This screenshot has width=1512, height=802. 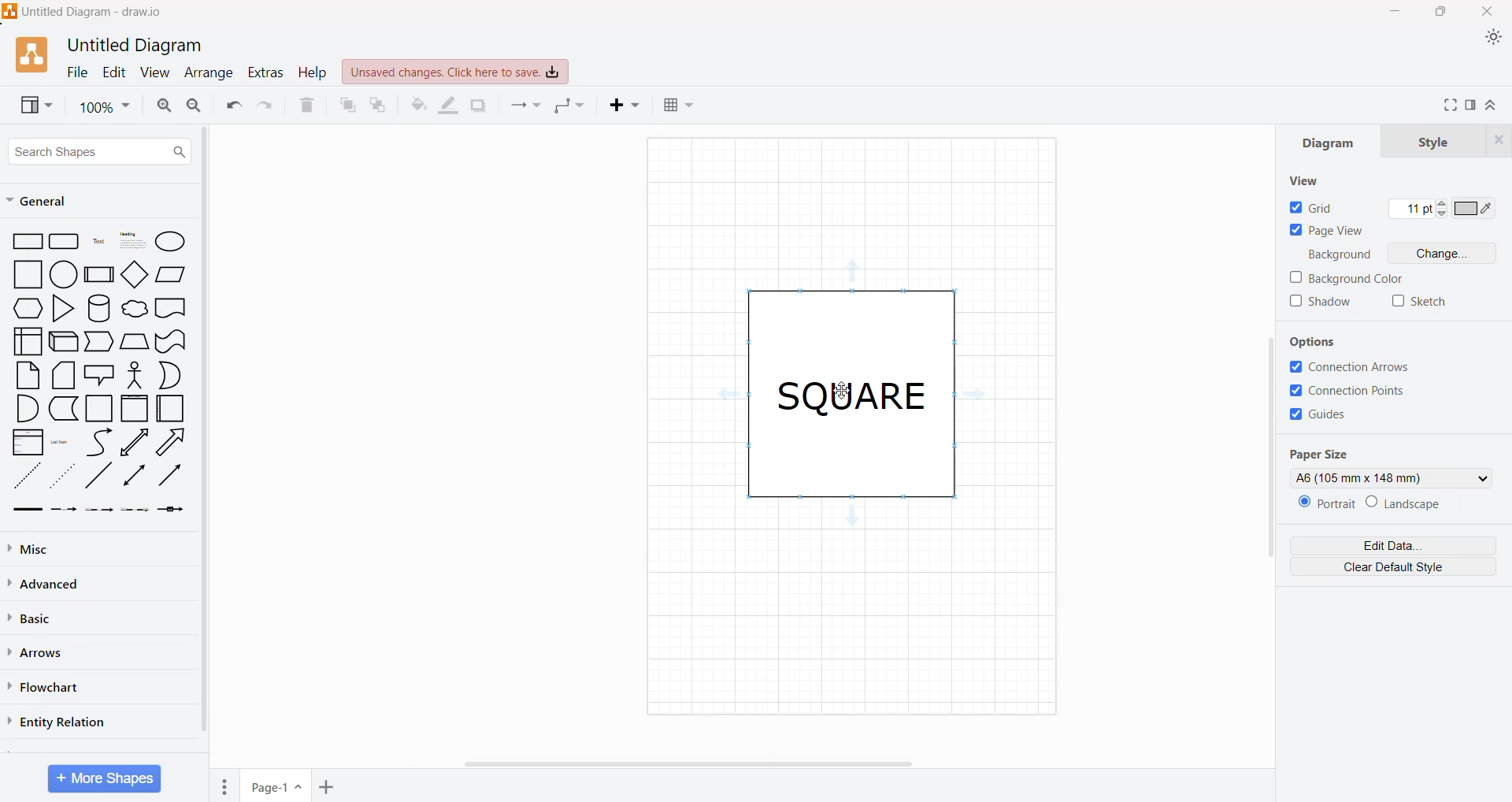 What do you see at coordinates (48, 688) in the screenshot?
I see `Flowchart` at bounding box center [48, 688].